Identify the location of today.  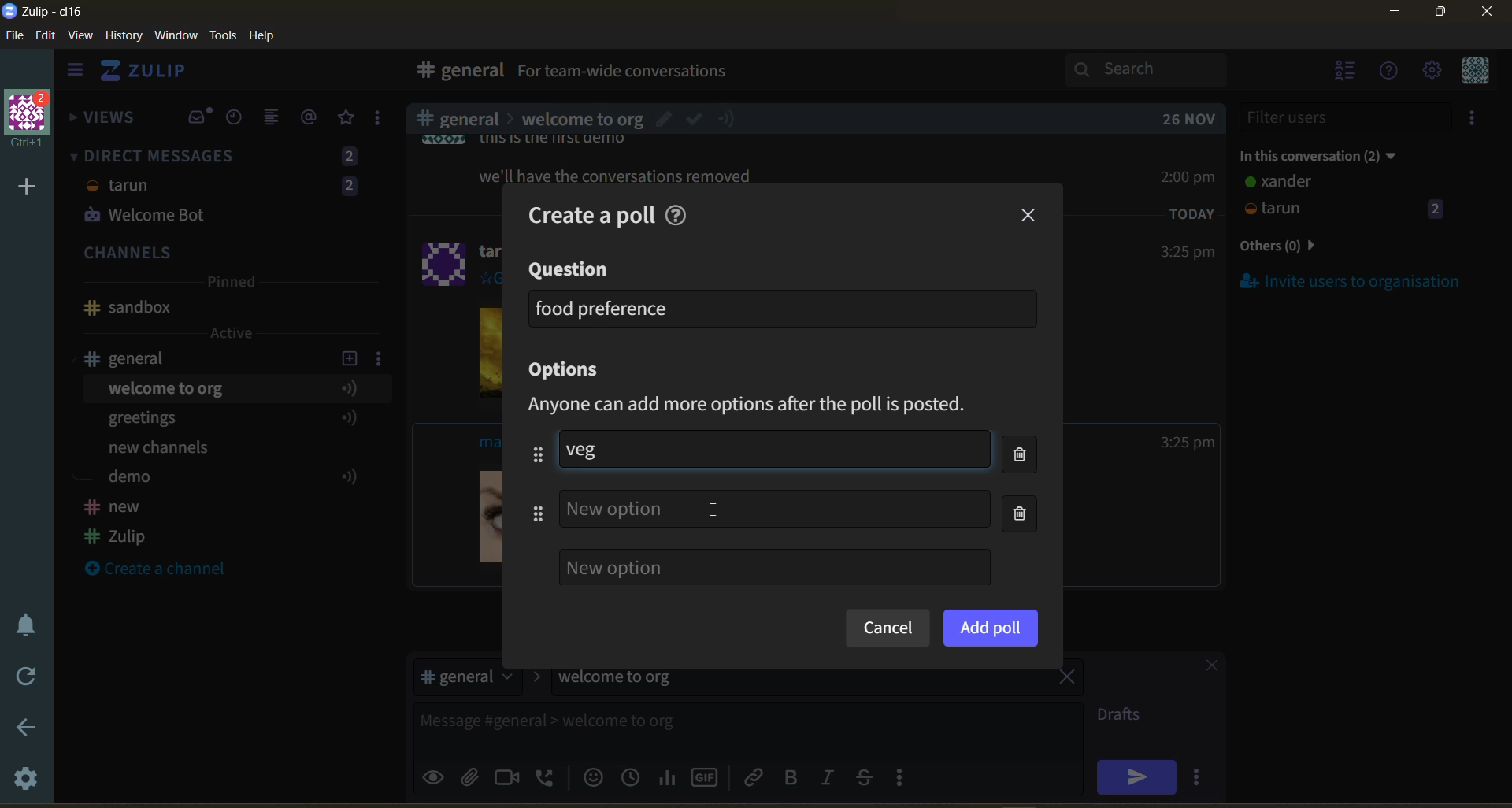
(1192, 213).